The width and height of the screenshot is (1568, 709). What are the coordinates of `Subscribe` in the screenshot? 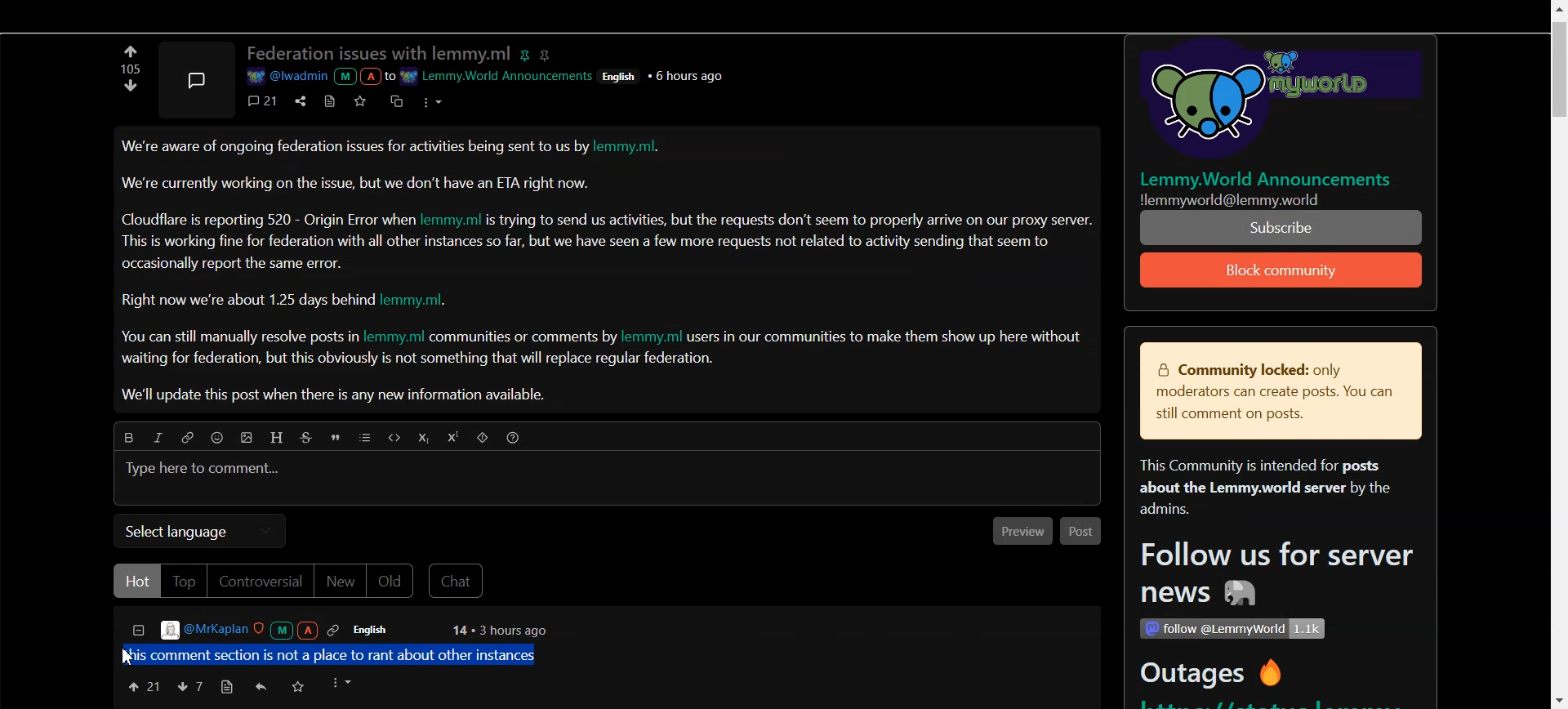 It's located at (1282, 270).